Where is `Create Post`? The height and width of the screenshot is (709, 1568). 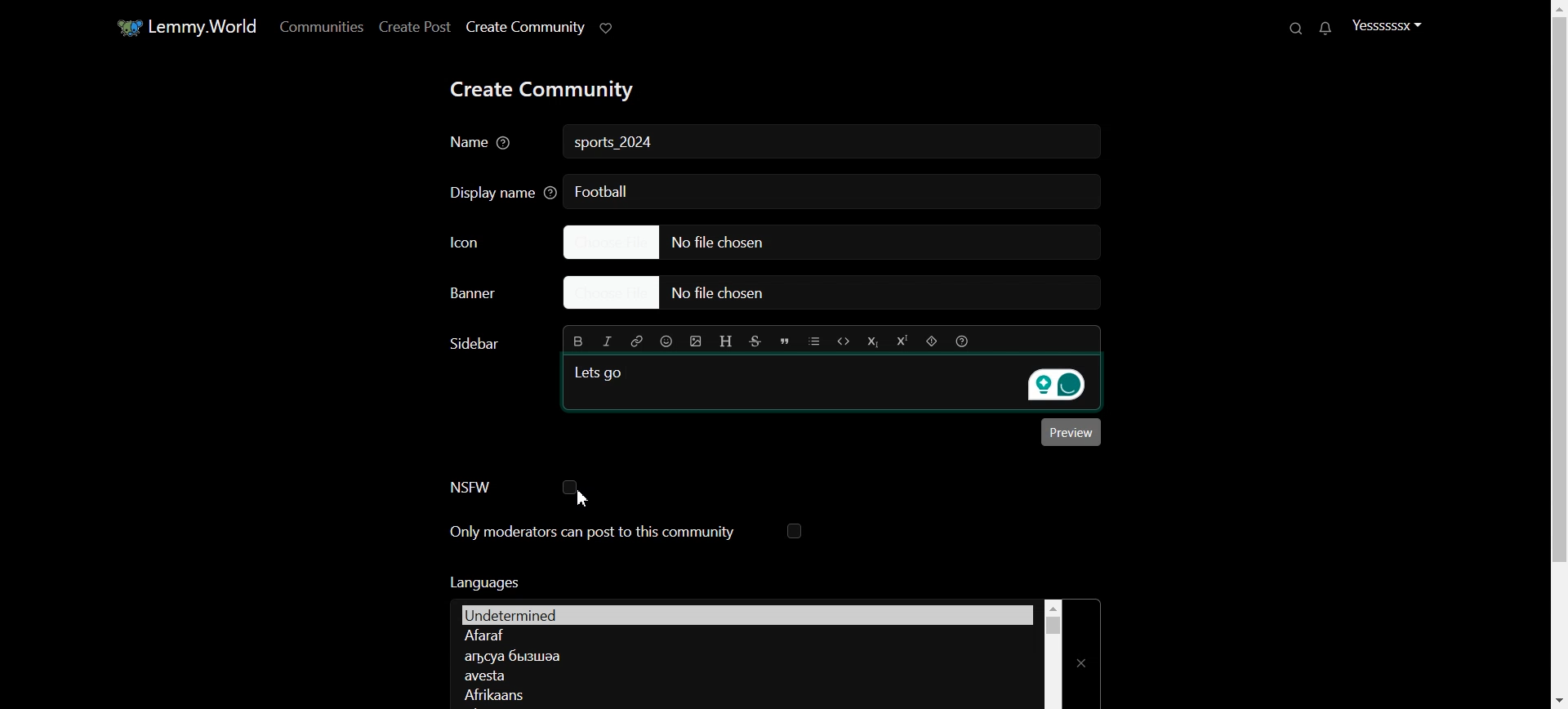 Create Post is located at coordinates (413, 26).